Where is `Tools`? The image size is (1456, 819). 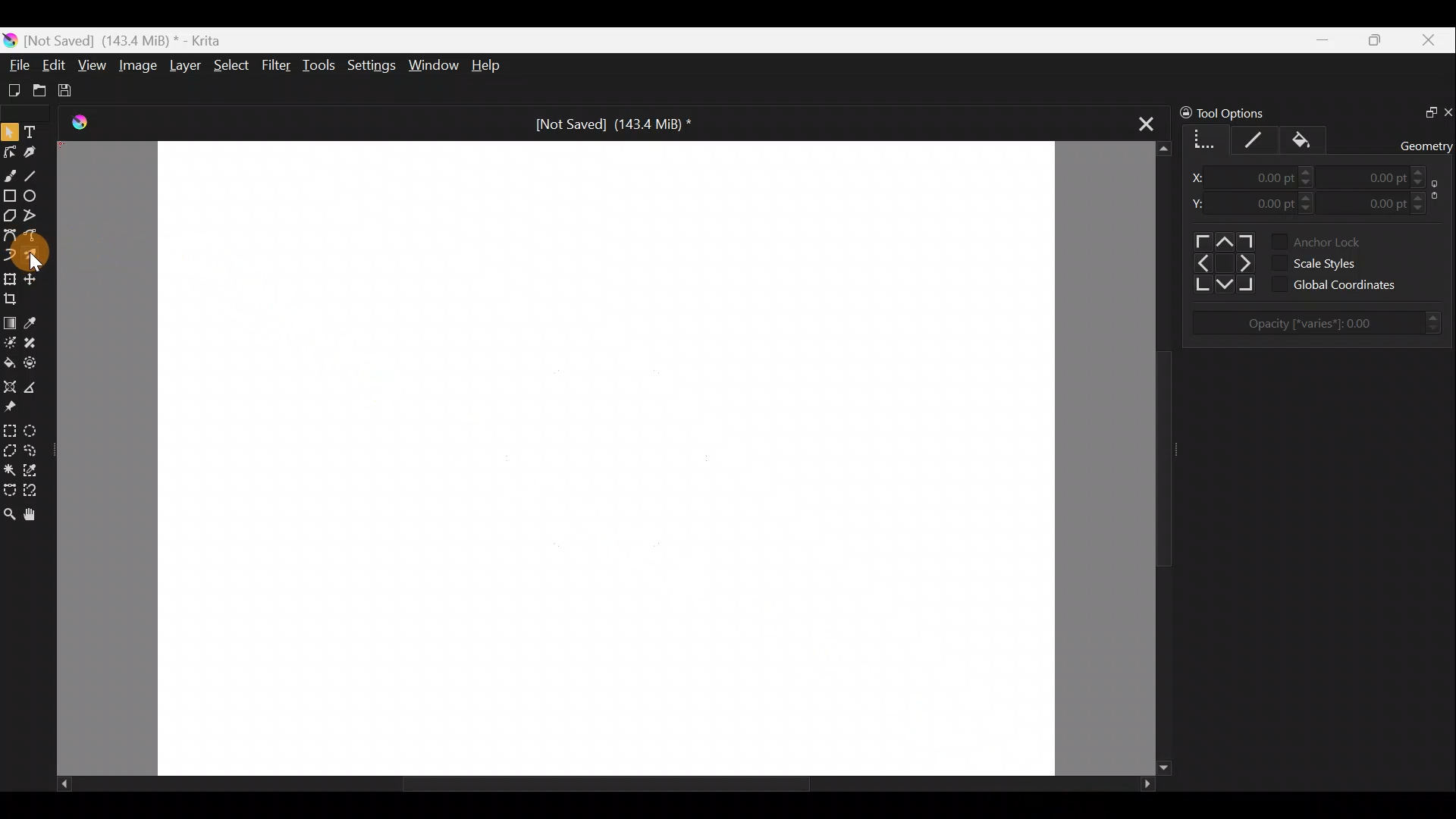
Tools is located at coordinates (319, 64).